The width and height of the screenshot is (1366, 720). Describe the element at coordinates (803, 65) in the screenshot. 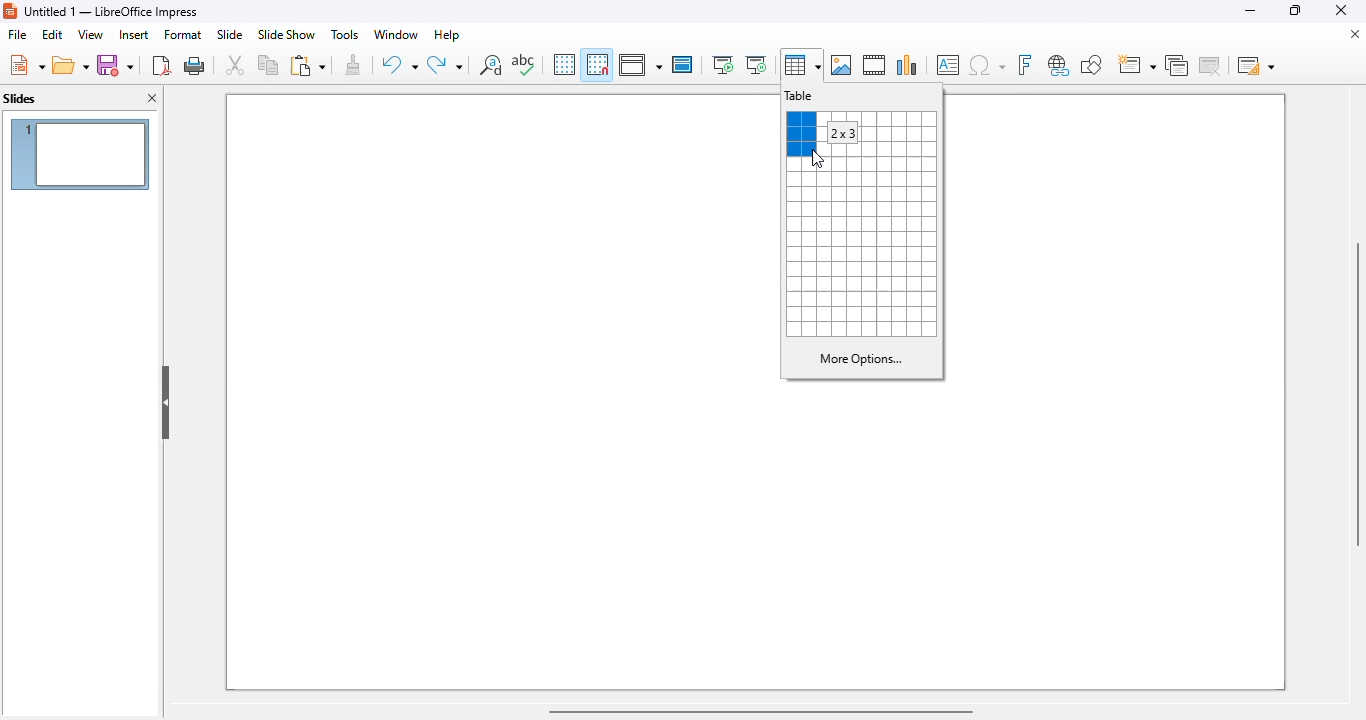

I see `table` at that location.